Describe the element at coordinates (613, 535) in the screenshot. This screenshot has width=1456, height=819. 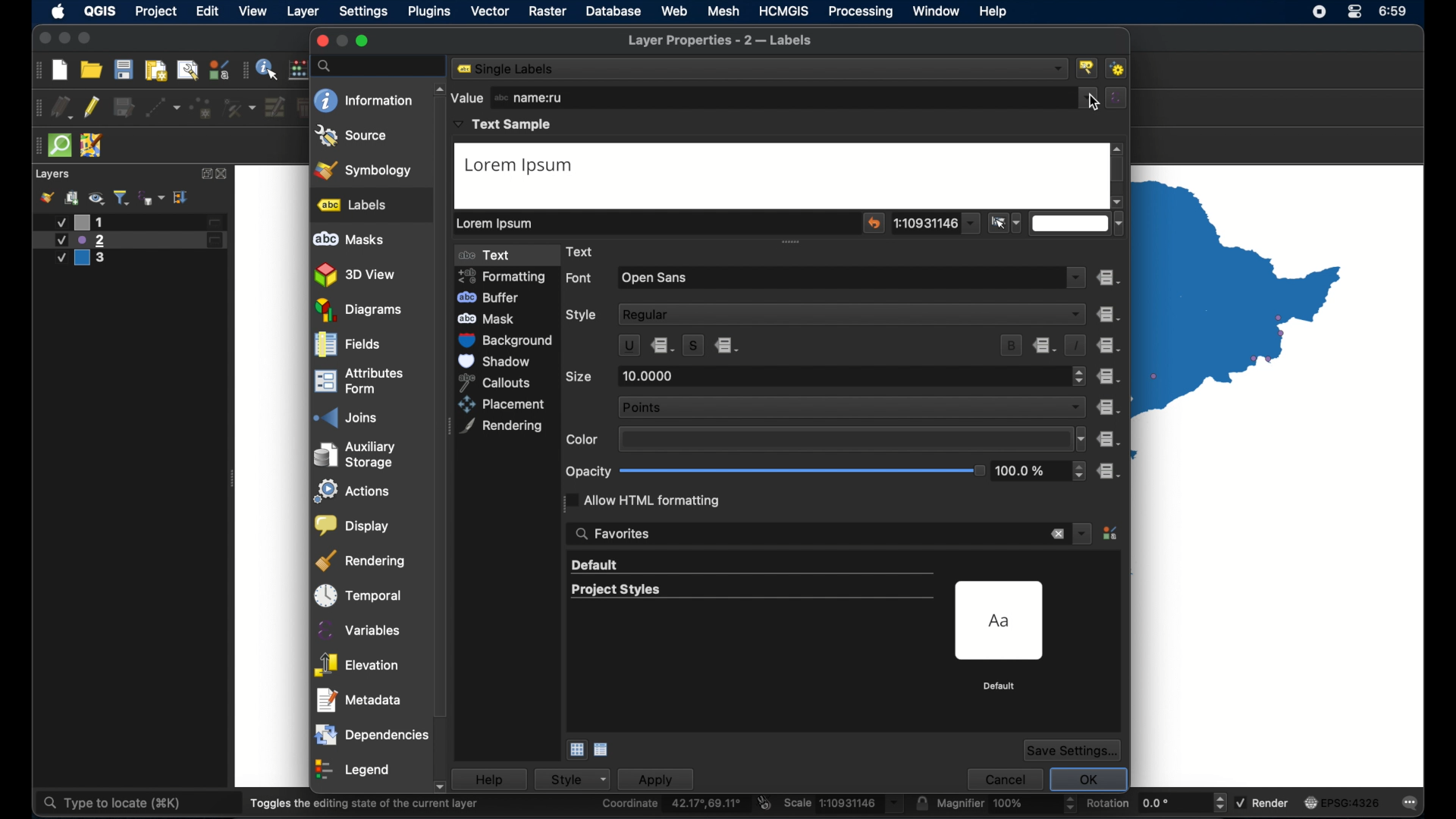
I see `search favorites` at that location.